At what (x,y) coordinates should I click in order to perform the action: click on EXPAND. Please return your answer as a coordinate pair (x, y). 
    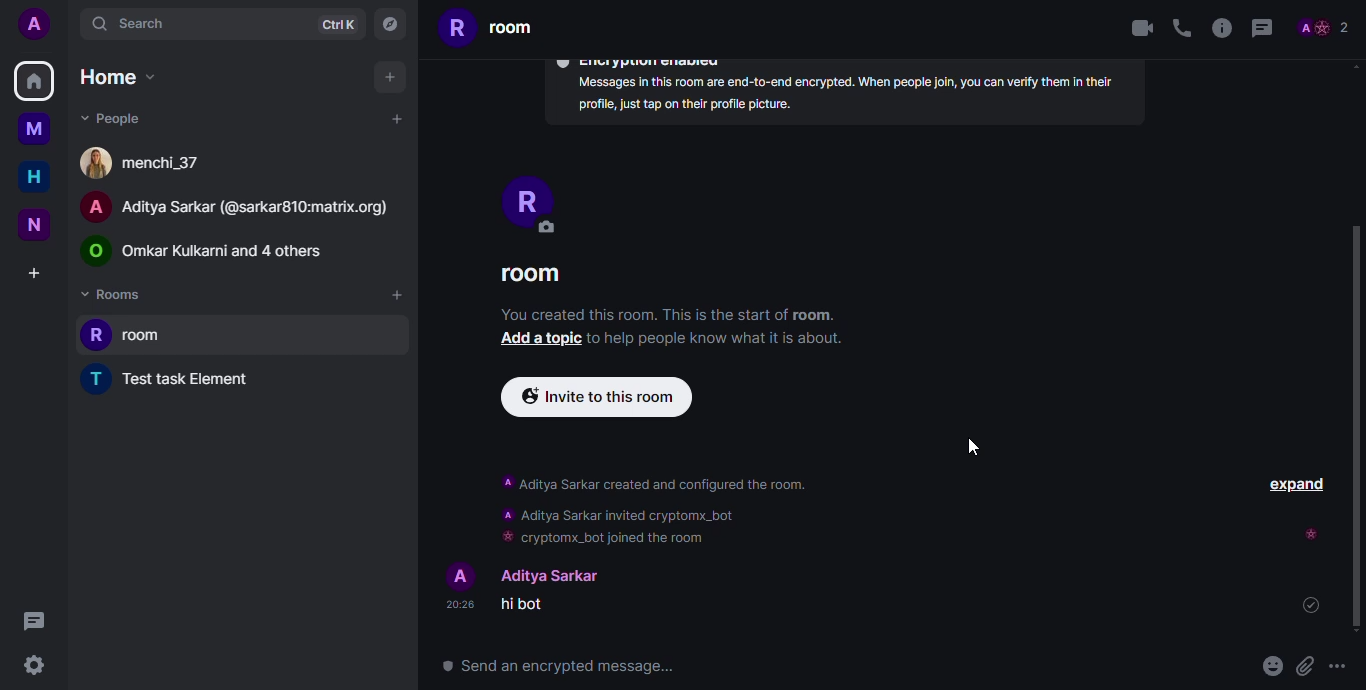
    Looking at the image, I should click on (1301, 483).